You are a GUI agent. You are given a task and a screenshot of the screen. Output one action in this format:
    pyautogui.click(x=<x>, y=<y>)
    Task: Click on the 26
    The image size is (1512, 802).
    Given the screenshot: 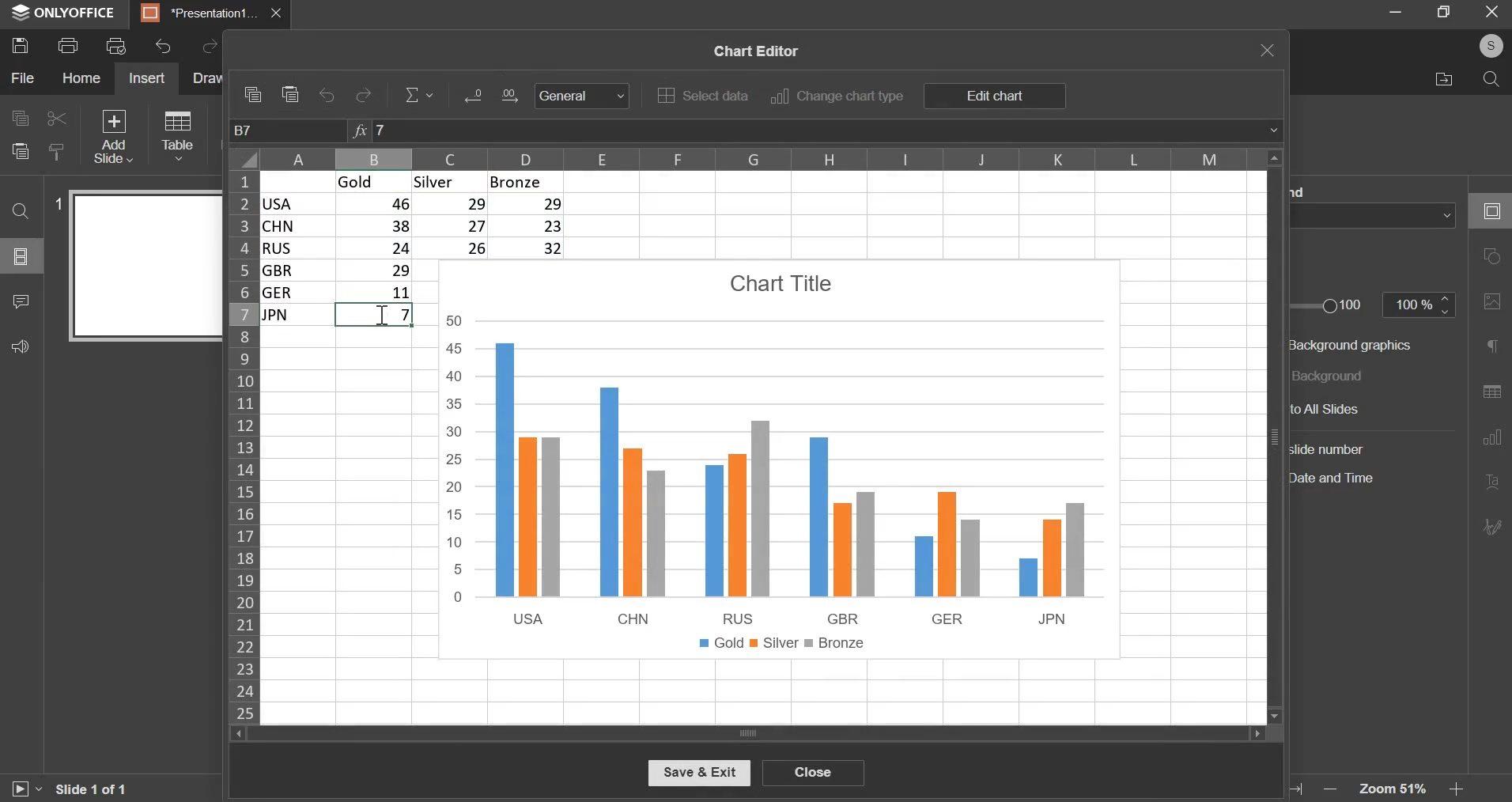 What is the action you would take?
    pyautogui.click(x=455, y=248)
    